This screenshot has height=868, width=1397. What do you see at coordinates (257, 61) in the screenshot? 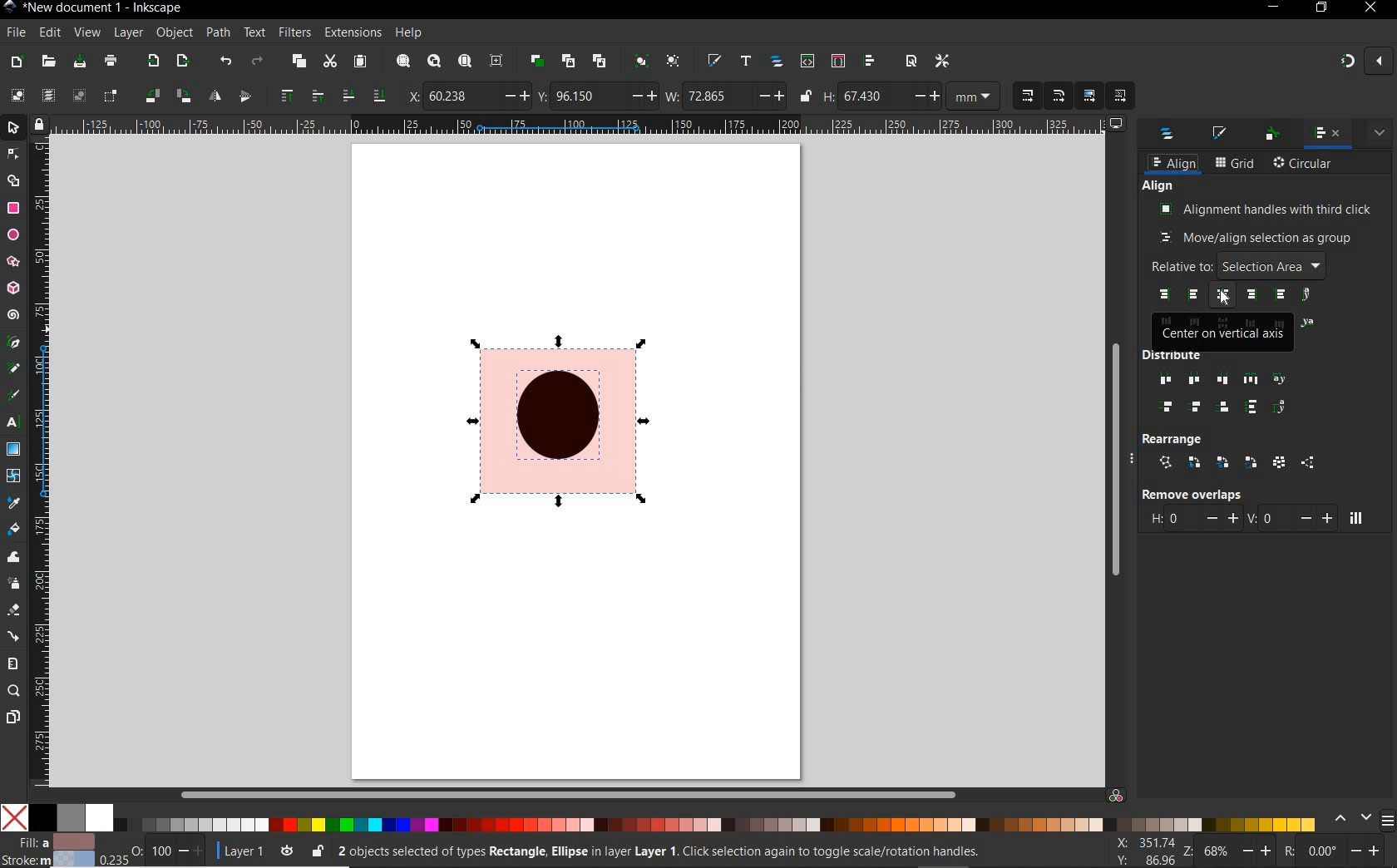
I see `redo` at bounding box center [257, 61].